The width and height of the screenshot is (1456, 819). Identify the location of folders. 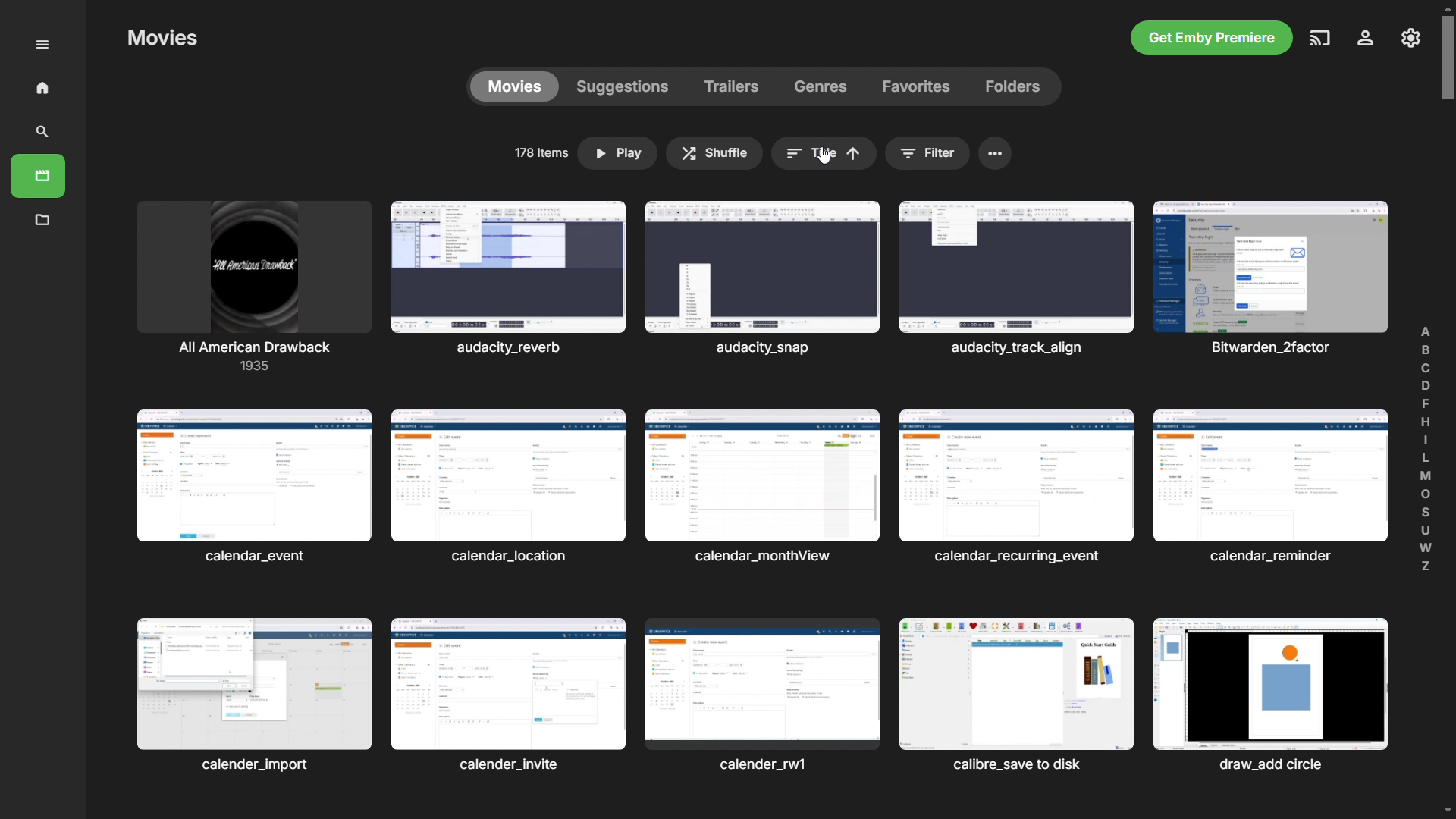
(1009, 86).